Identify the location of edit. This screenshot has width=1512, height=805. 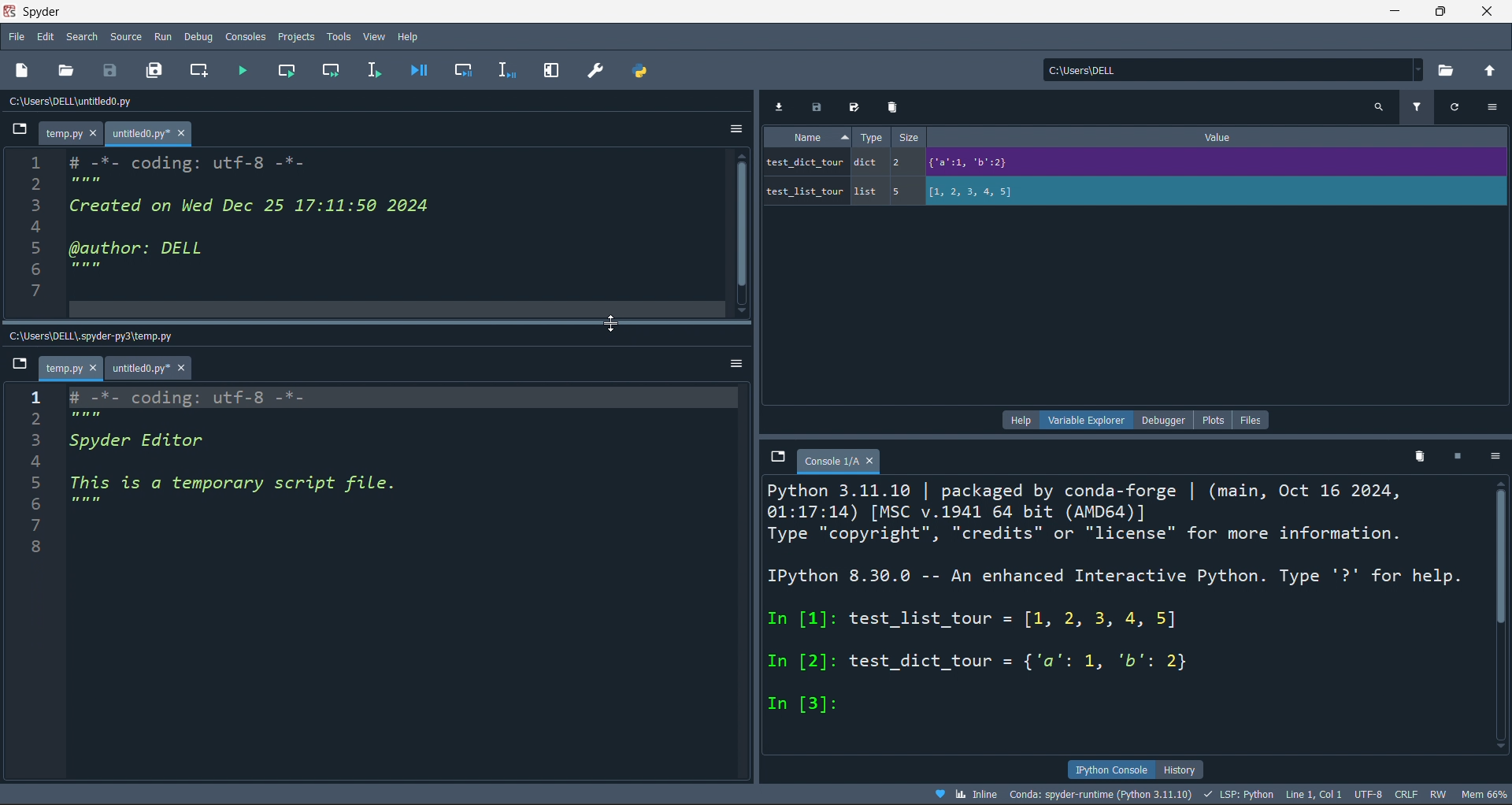
(46, 36).